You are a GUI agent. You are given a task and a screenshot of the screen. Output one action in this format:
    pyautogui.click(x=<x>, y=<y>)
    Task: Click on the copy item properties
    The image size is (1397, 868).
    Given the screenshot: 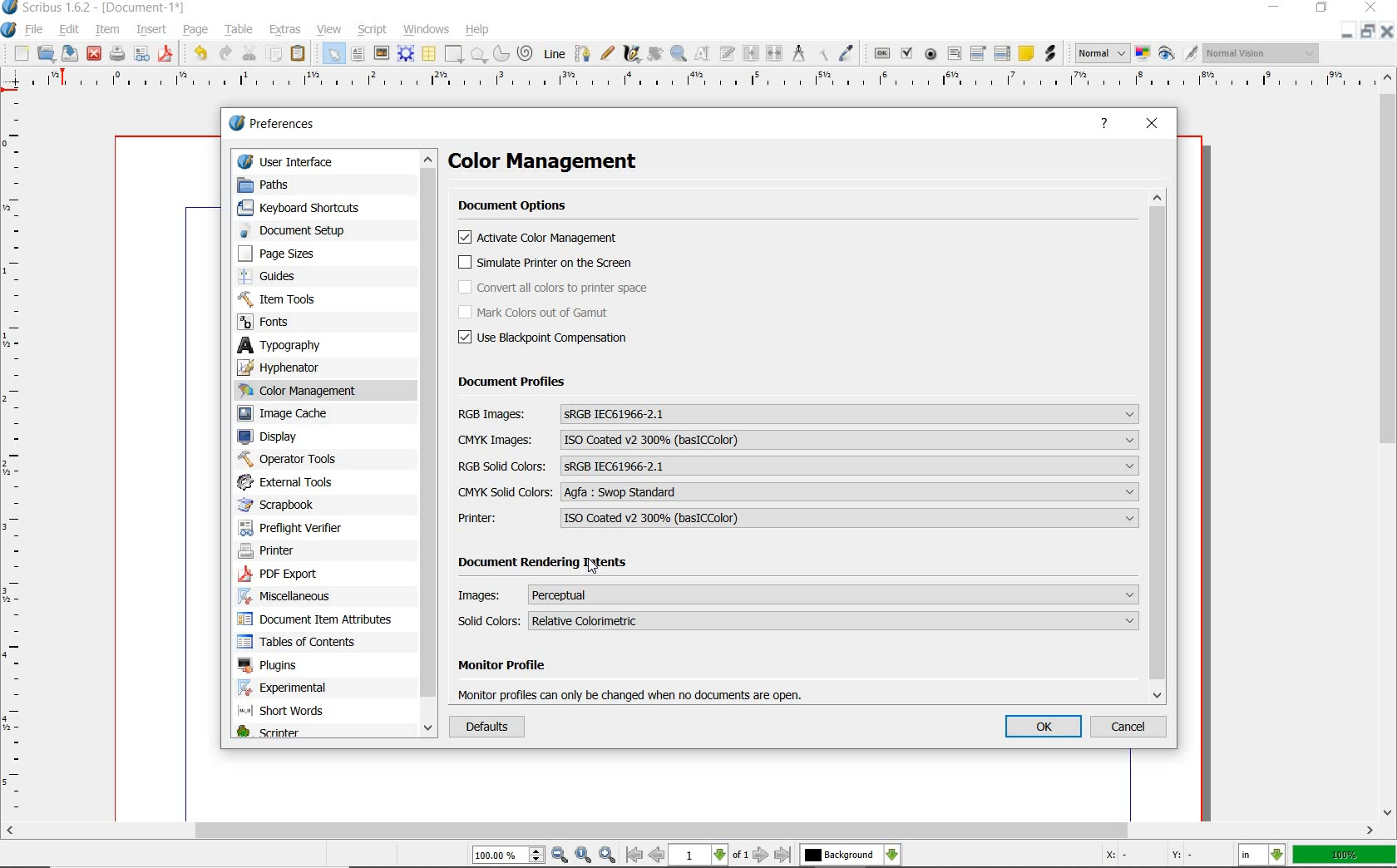 What is the action you would take?
    pyautogui.click(x=824, y=52)
    